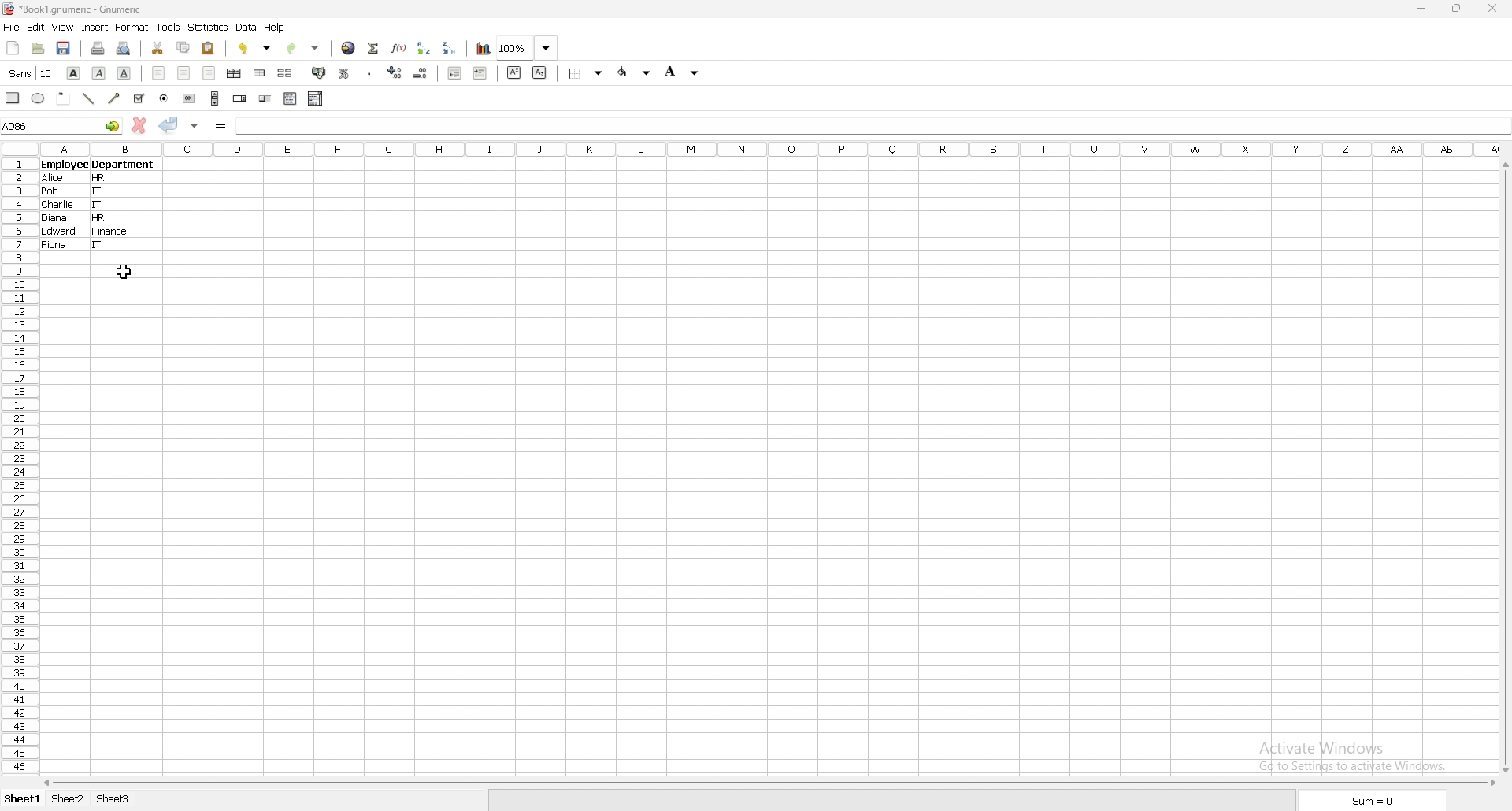 The height and width of the screenshot is (811, 1512). What do you see at coordinates (320, 72) in the screenshot?
I see `accounting` at bounding box center [320, 72].